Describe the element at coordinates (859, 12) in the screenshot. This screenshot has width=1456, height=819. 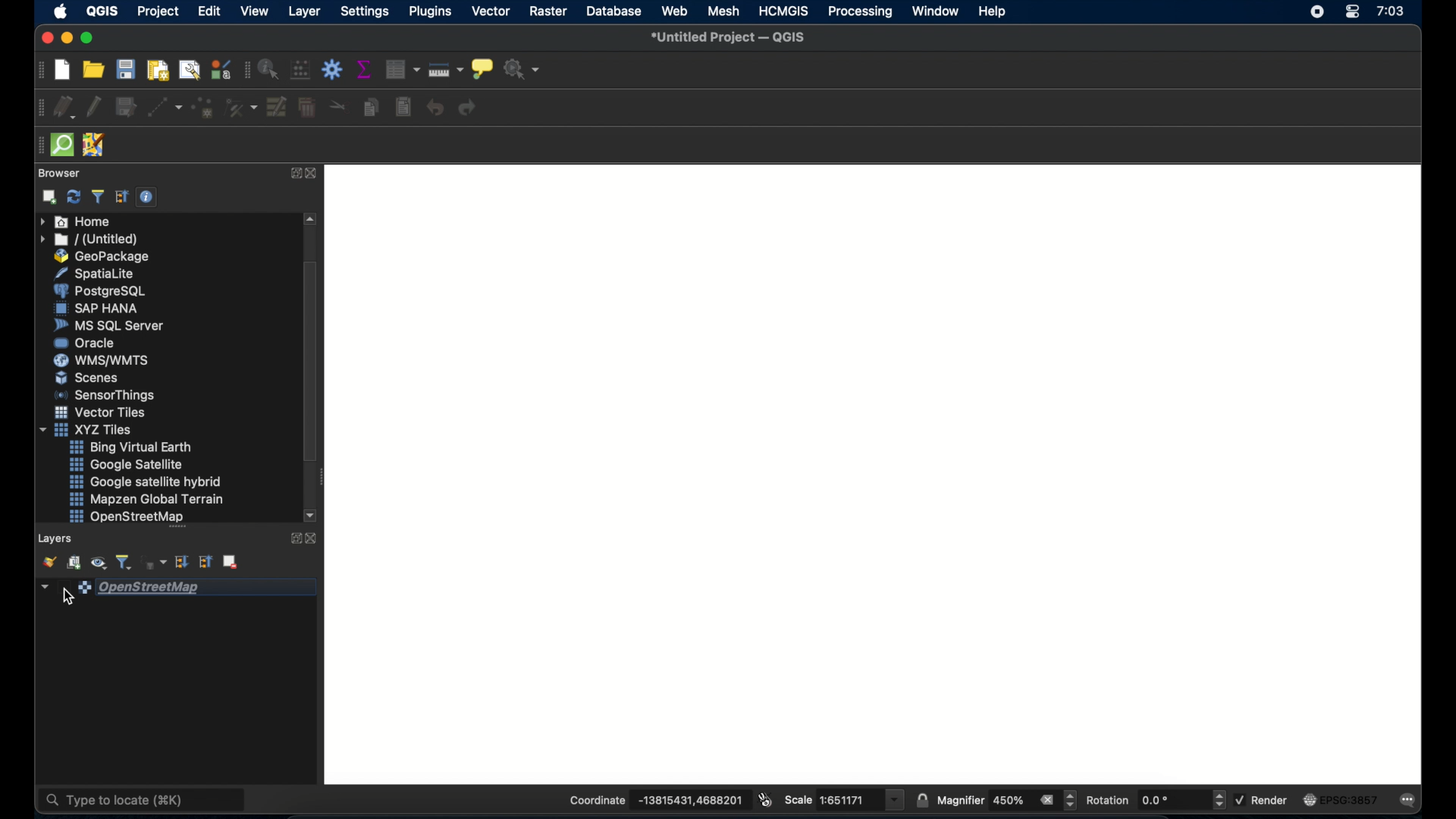
I see `processing` at that location.